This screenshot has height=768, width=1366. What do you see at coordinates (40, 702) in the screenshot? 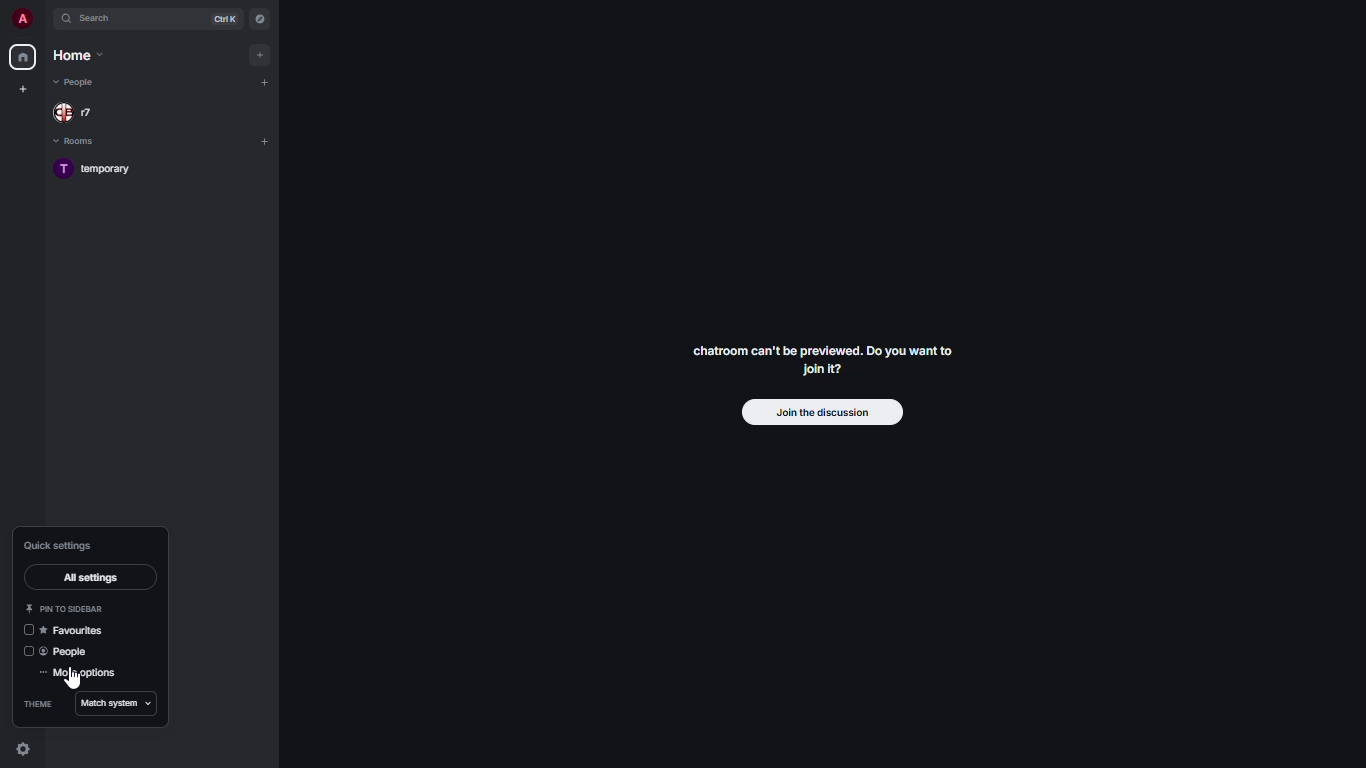
I see `theme` at bounding box center [40, 702].